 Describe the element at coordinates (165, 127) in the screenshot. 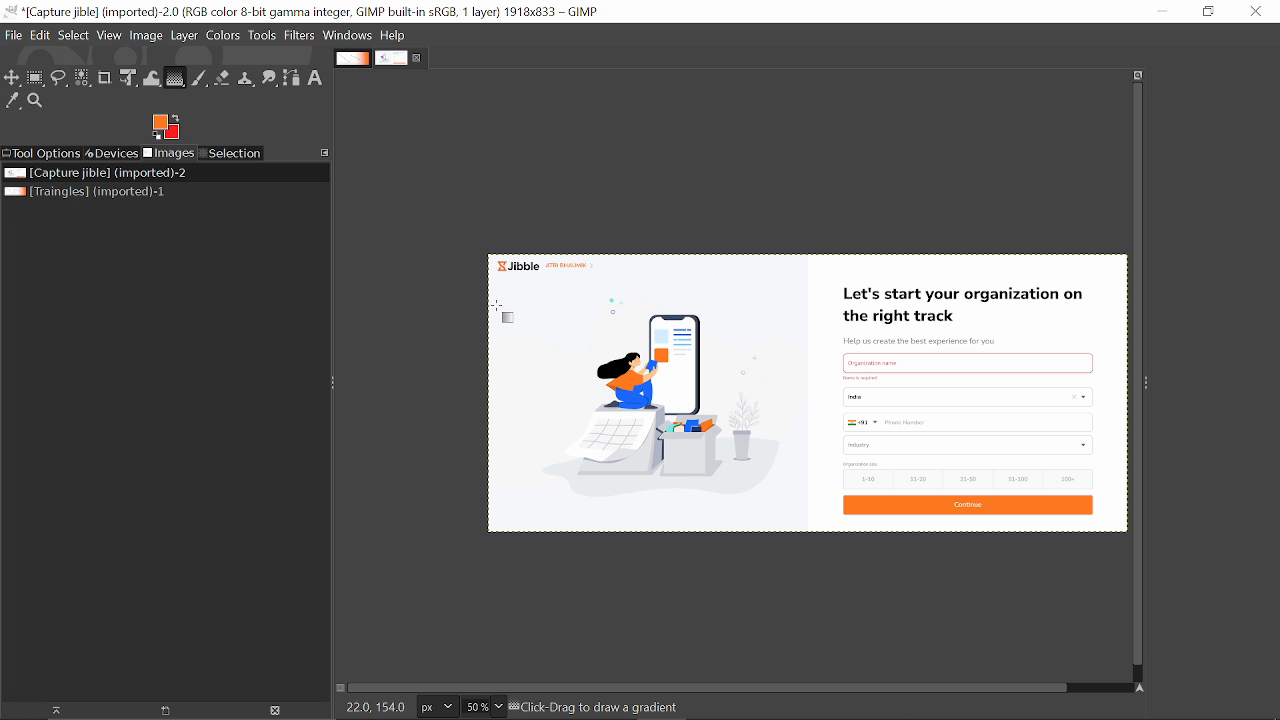

I see `Foreground color` at that location.